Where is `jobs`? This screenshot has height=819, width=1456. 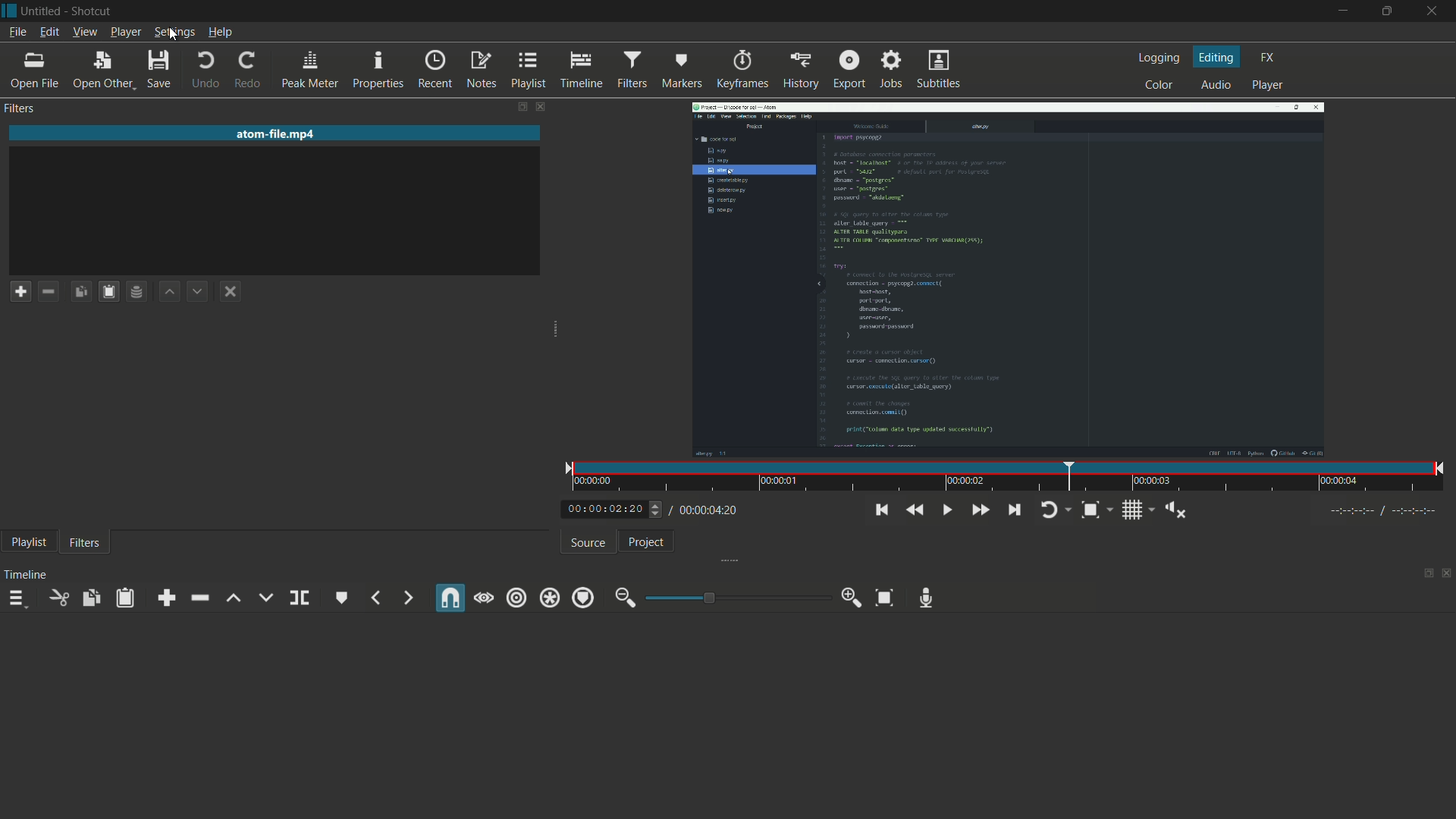
jobs is located at coordinates (893, 70).